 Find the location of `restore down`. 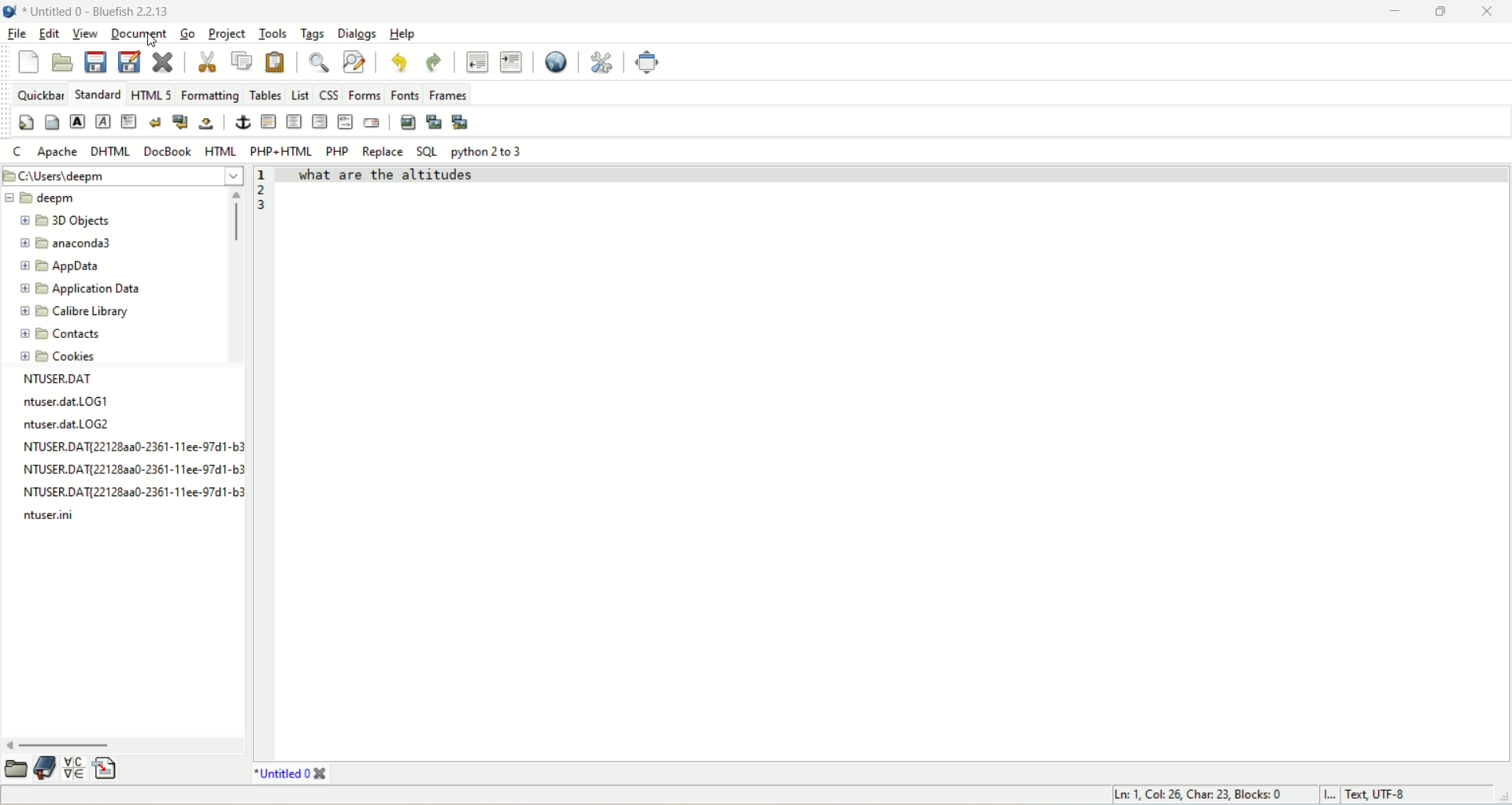

restore down is located at coordinates (1440, 11).